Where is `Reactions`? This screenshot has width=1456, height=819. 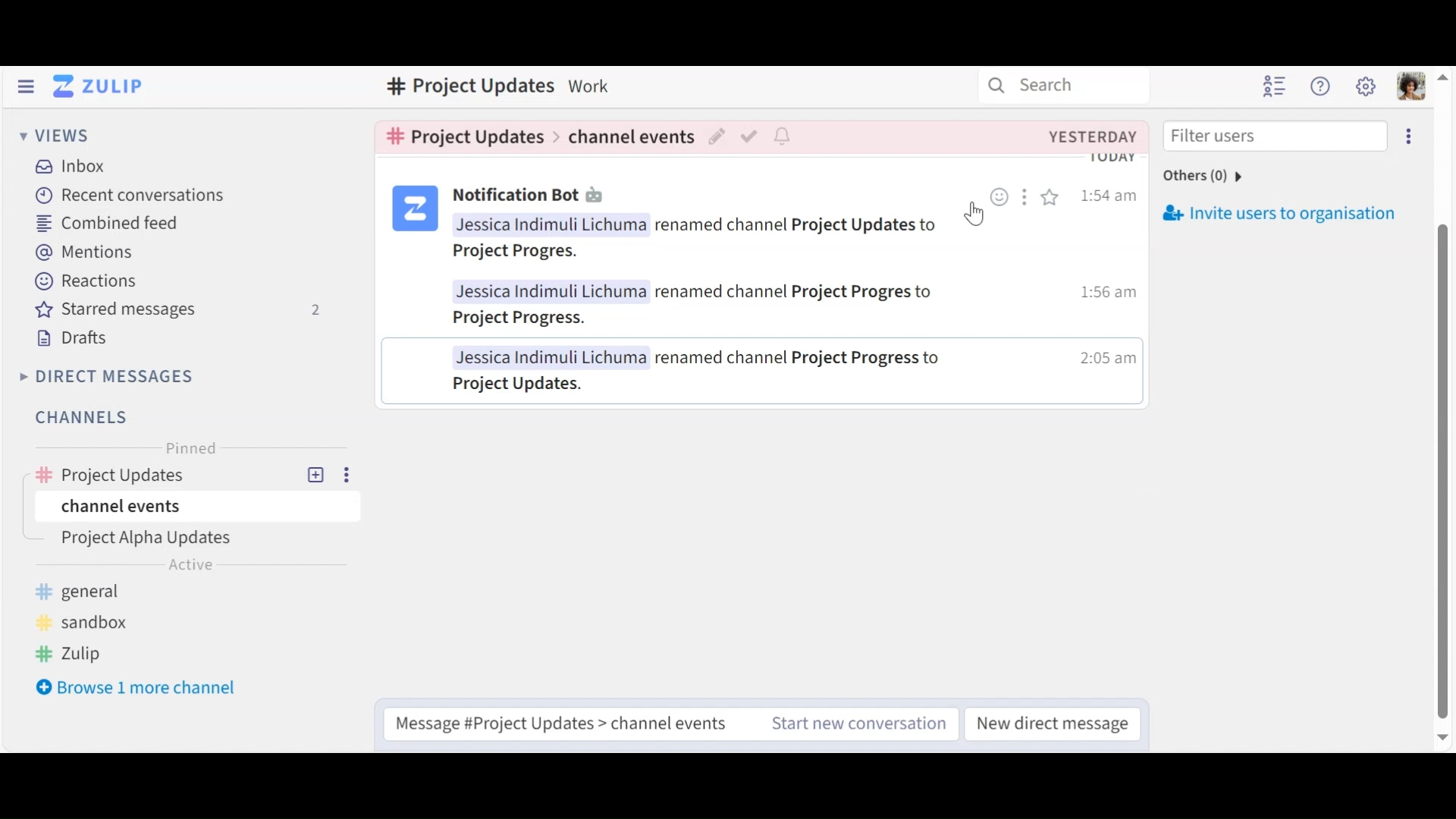
Reactions is located at coordinates (88, 282).